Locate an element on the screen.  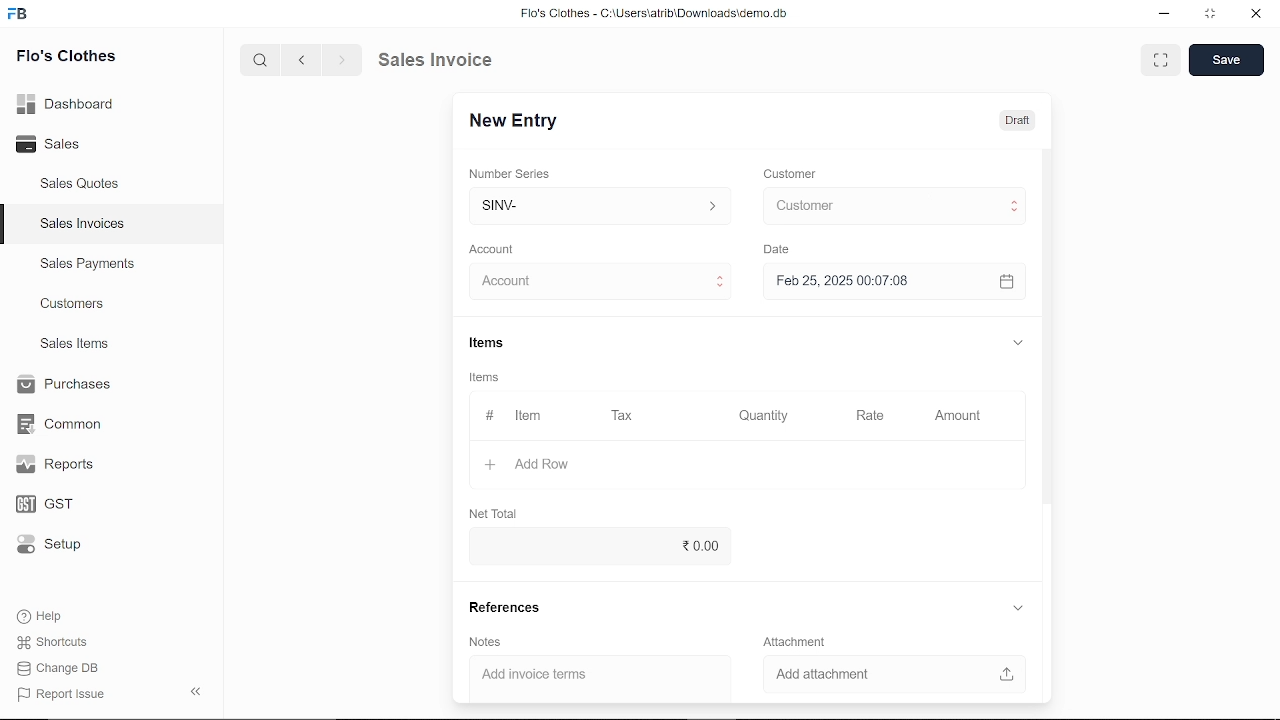
vertical scrollbar is located at coordinates (1050, 325).